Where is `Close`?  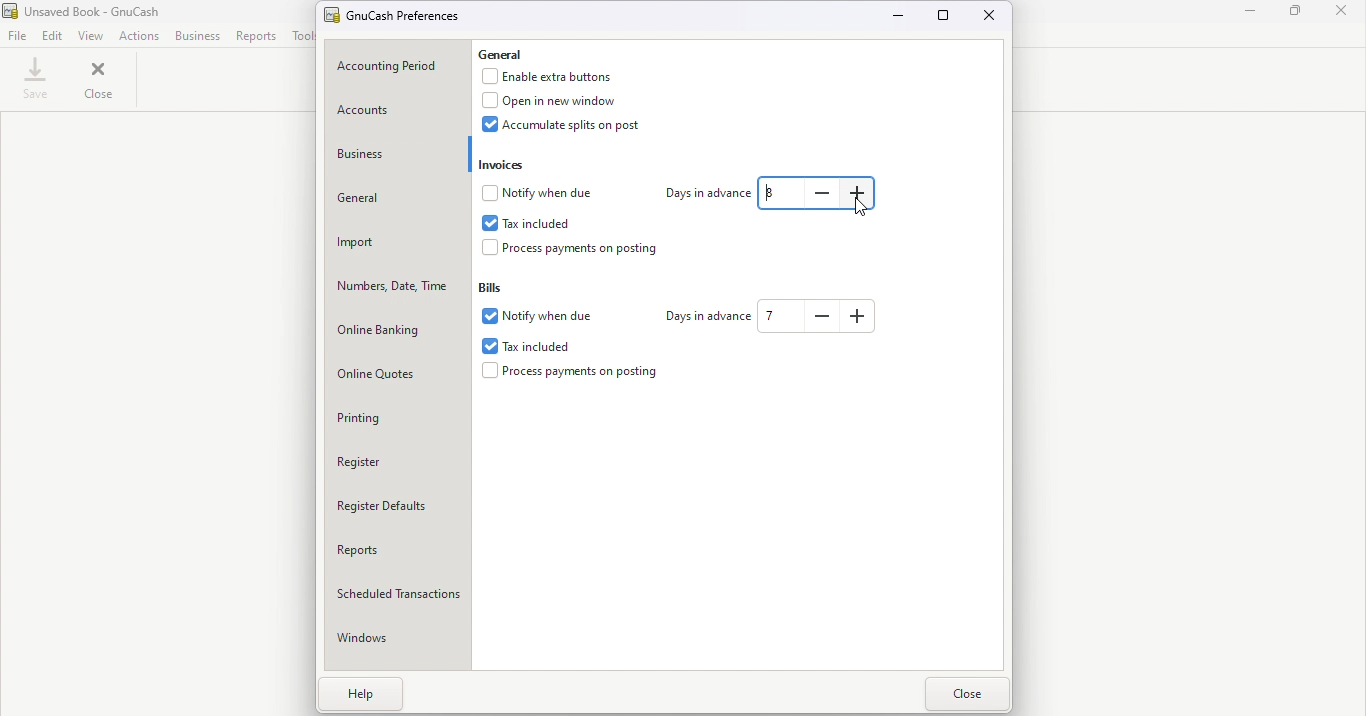 Close is located at coordinates (991, 17).